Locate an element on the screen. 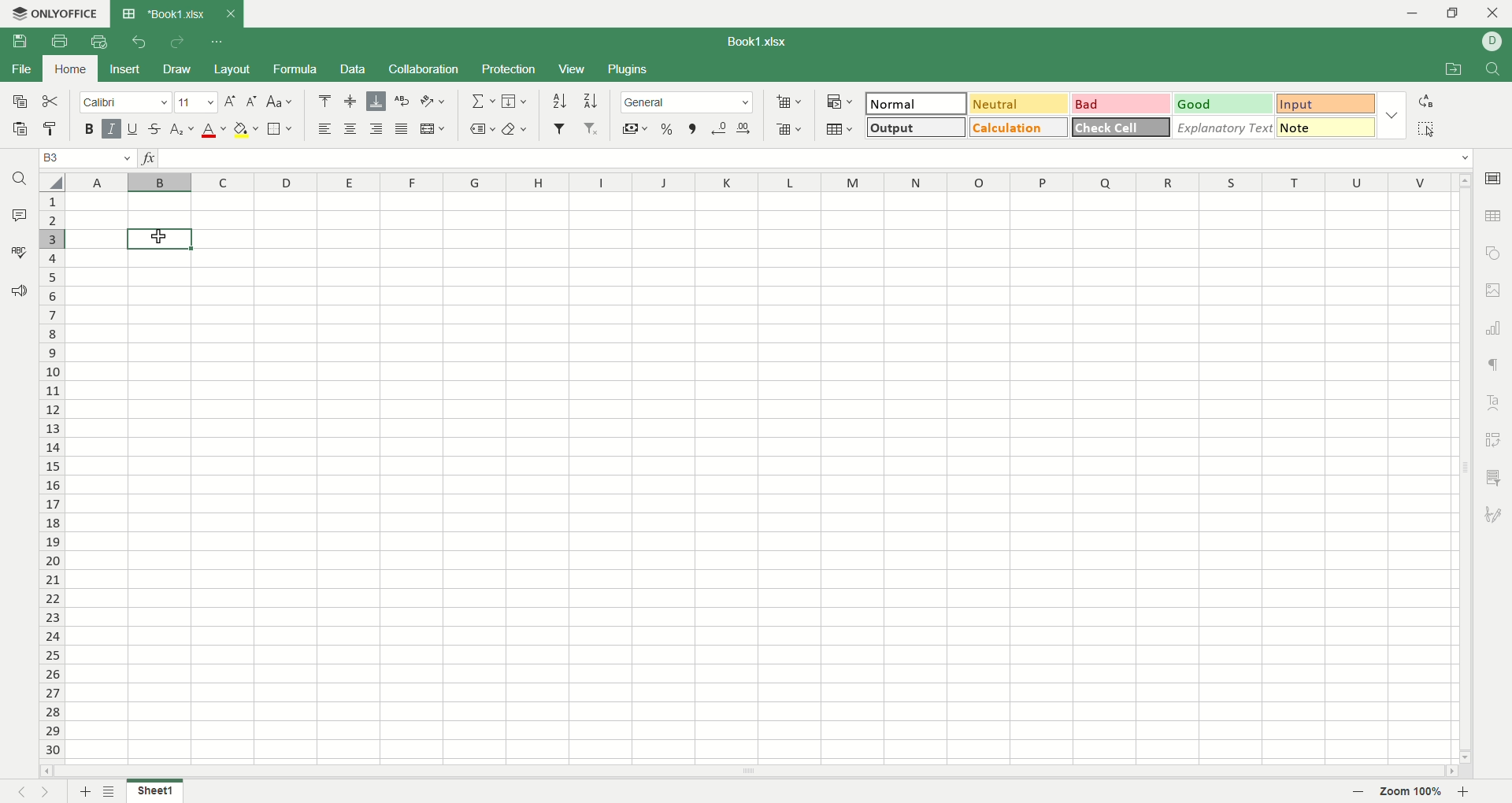 The width and height of the screenshot is (1512, 803). font size is located at coordinates (198, 102).